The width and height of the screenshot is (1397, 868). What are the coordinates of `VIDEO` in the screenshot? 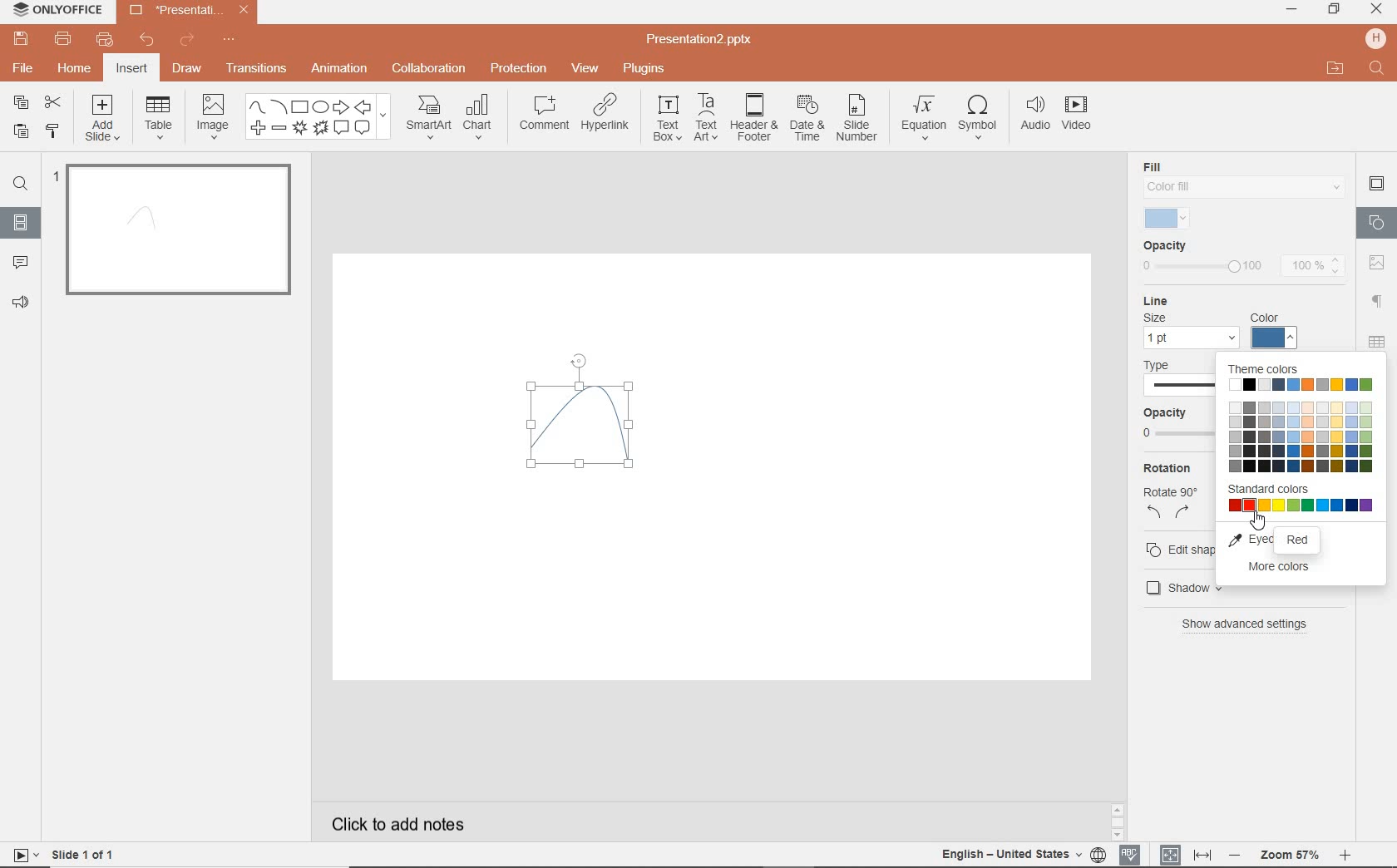 It's located at (1085, 116).